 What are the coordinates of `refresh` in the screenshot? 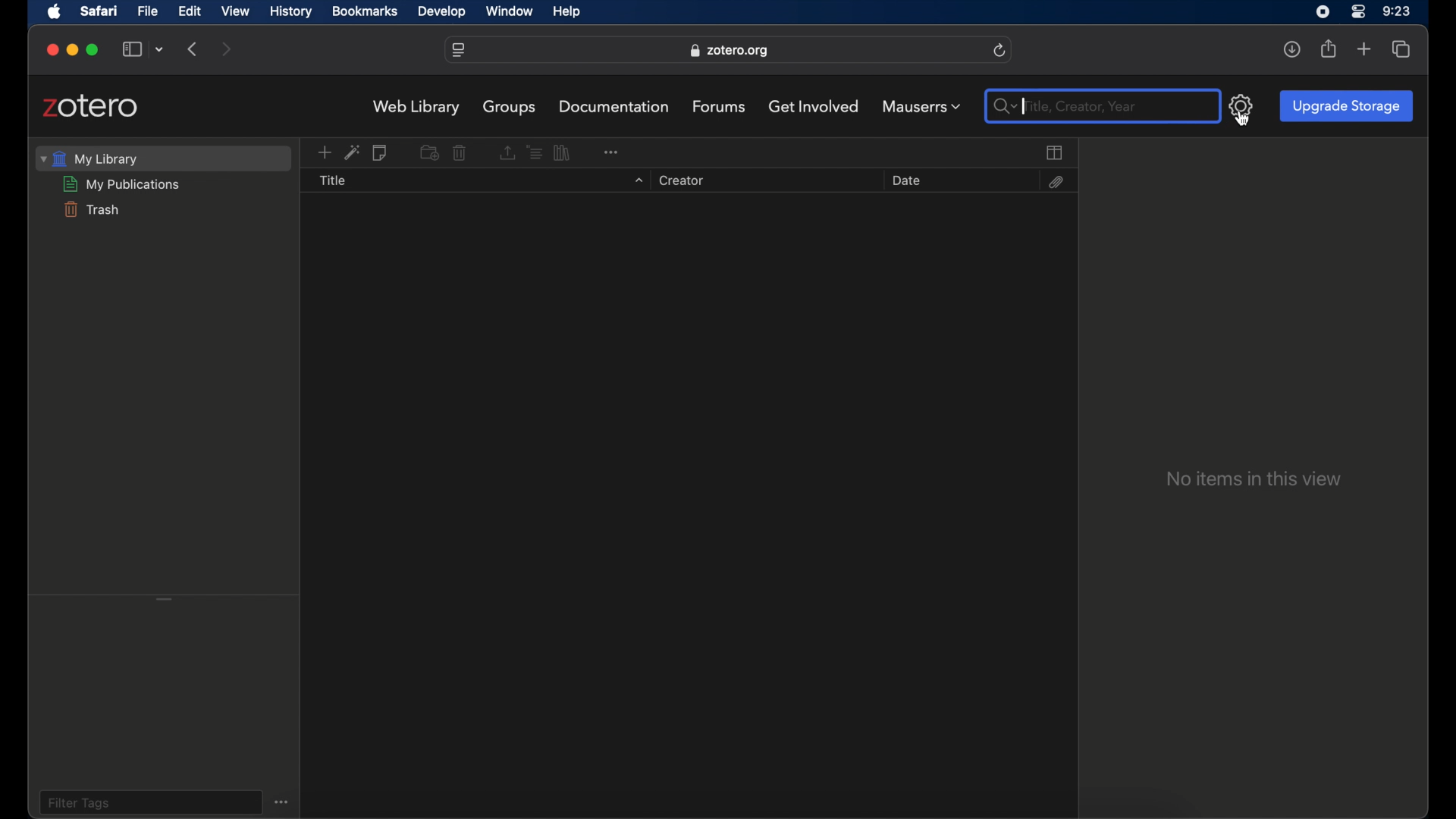 It's located at (1000, 51).